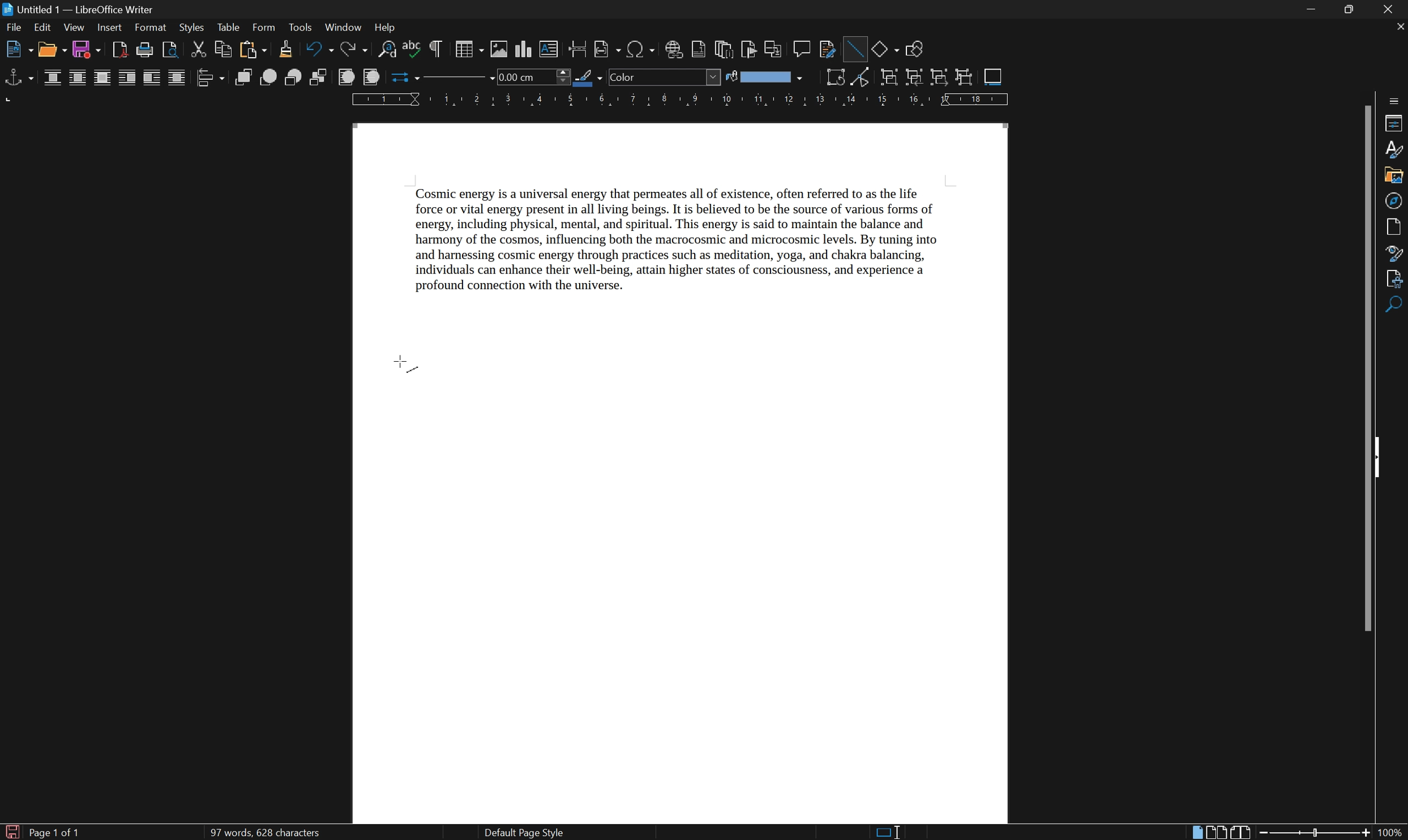  I want to click on show draw function, so click(914, 50).